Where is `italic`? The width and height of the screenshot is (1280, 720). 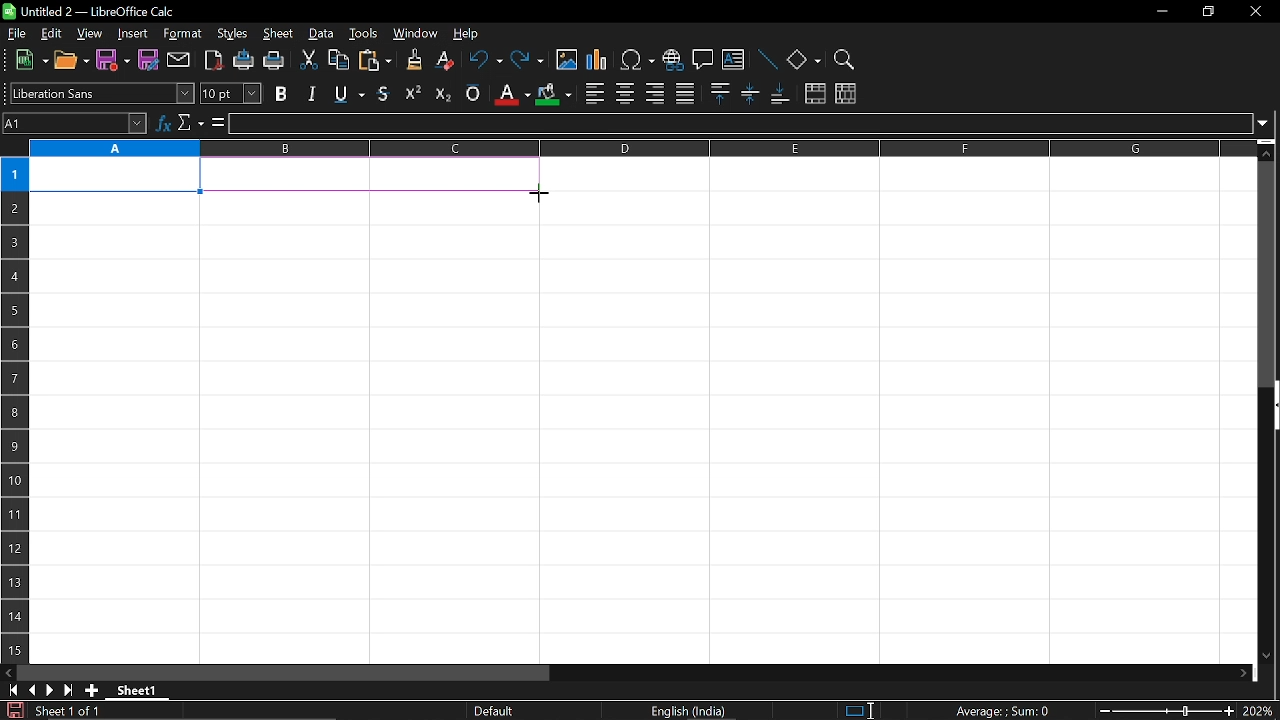
italic is located at coordinates (311, 93).